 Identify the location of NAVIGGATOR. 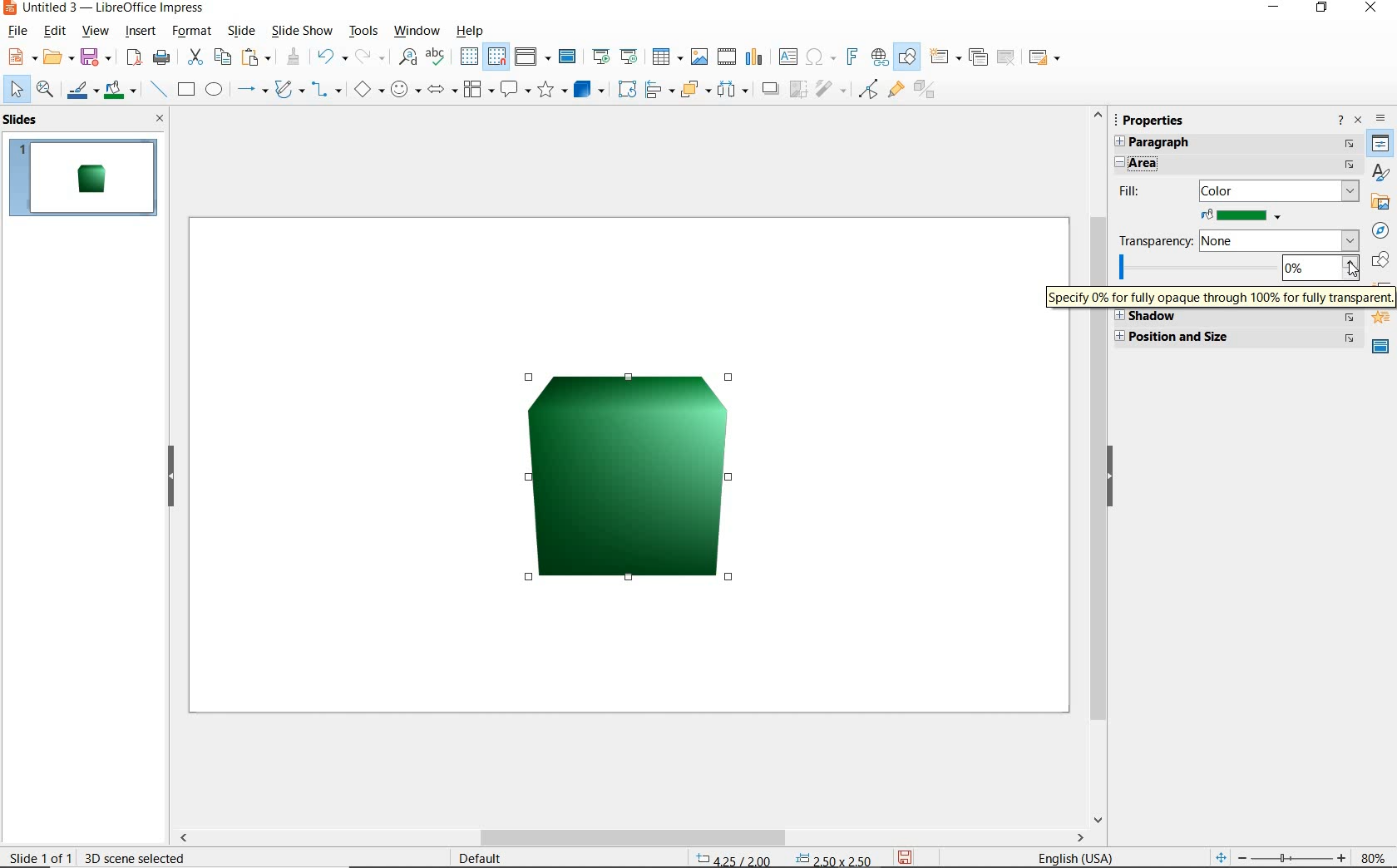
(1381, 231).